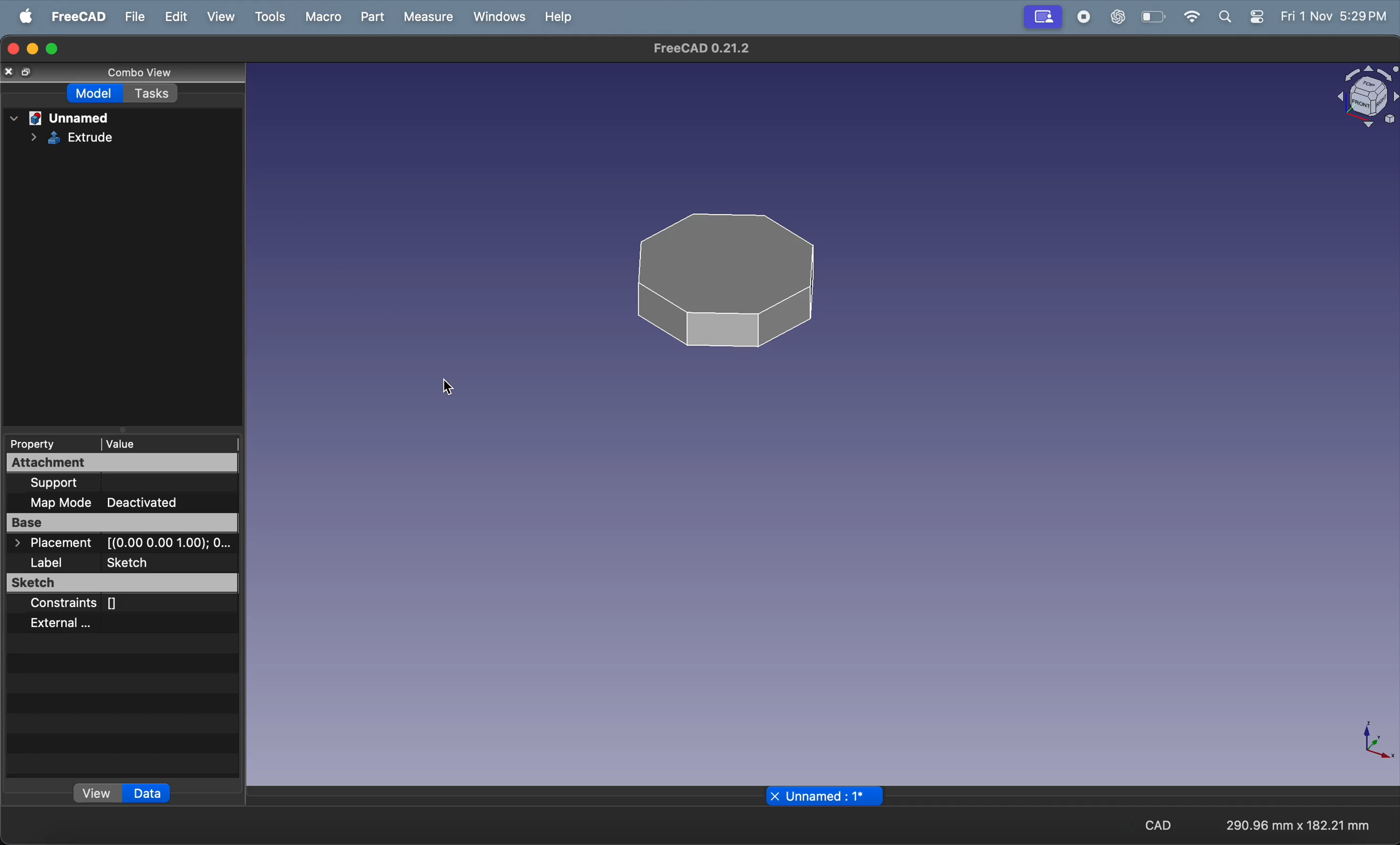 The height and width of the screenshot is (845, 1400). I want to click on windows, so click(497, 15).